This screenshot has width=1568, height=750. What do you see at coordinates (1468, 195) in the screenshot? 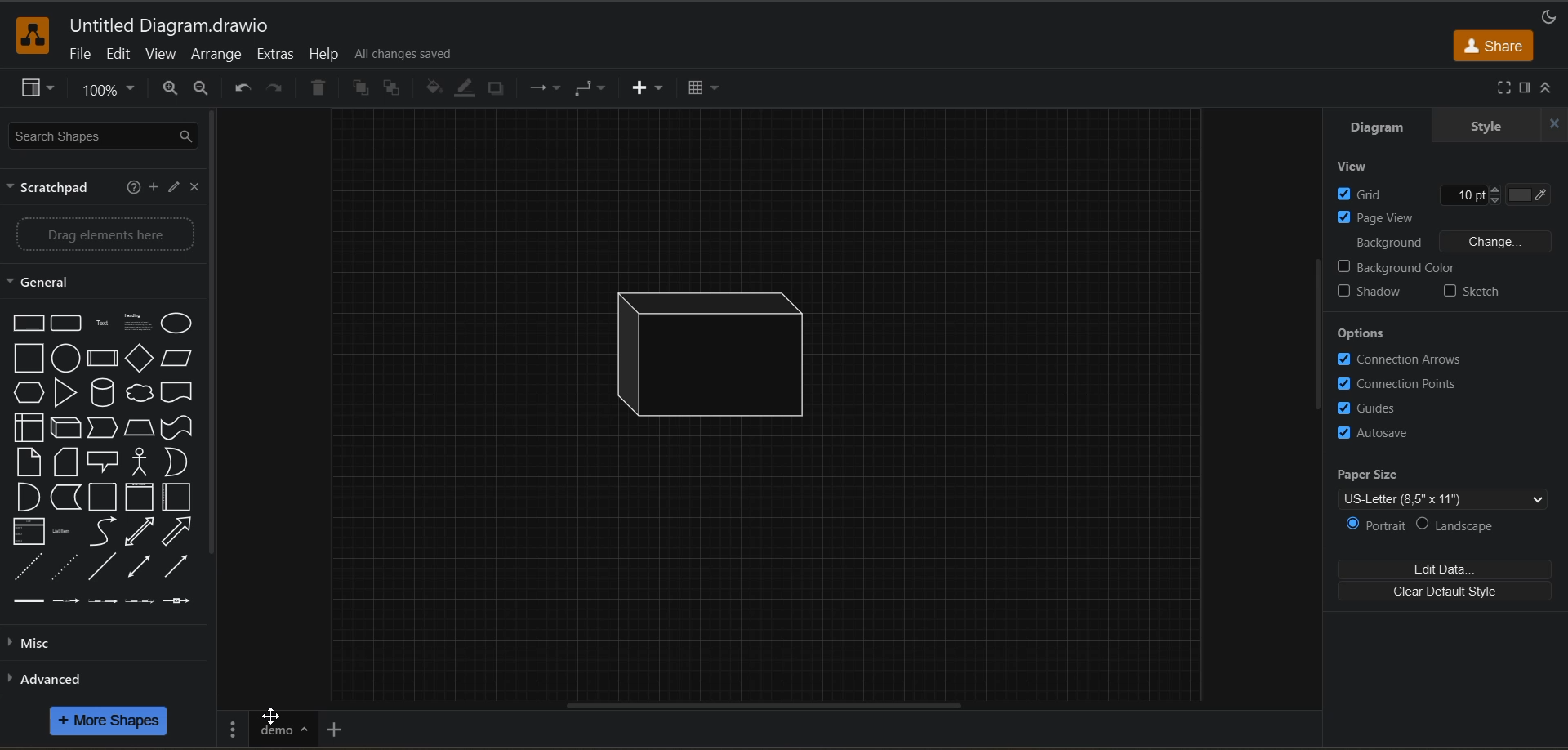
I see `Grid size` at bounding box center [1468, 195].